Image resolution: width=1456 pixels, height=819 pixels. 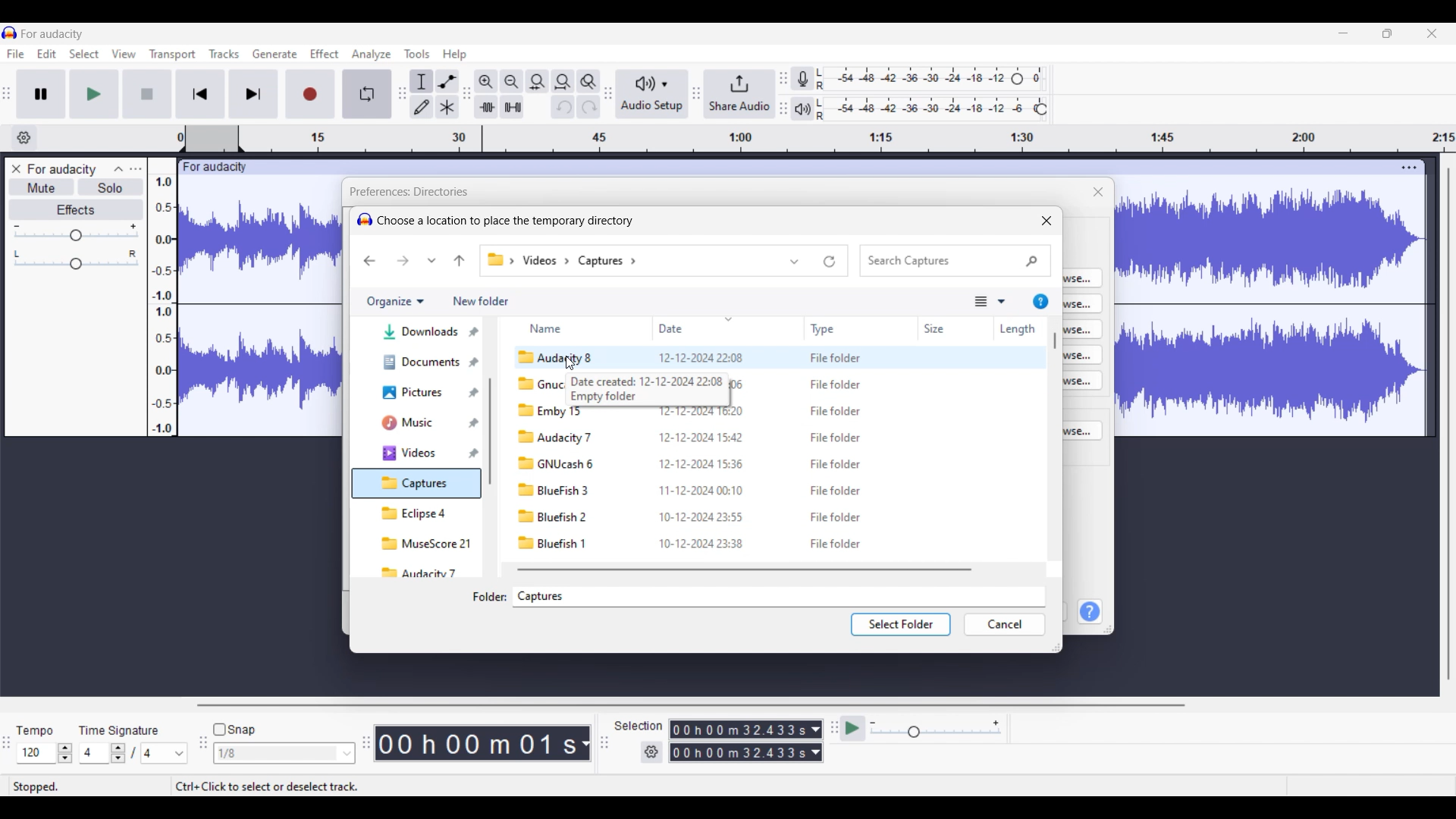 What do you see at coordinates (506, 220) in the screenshot?
I see `choose a location to place the temporary directory` at bounding box center [506, 220].